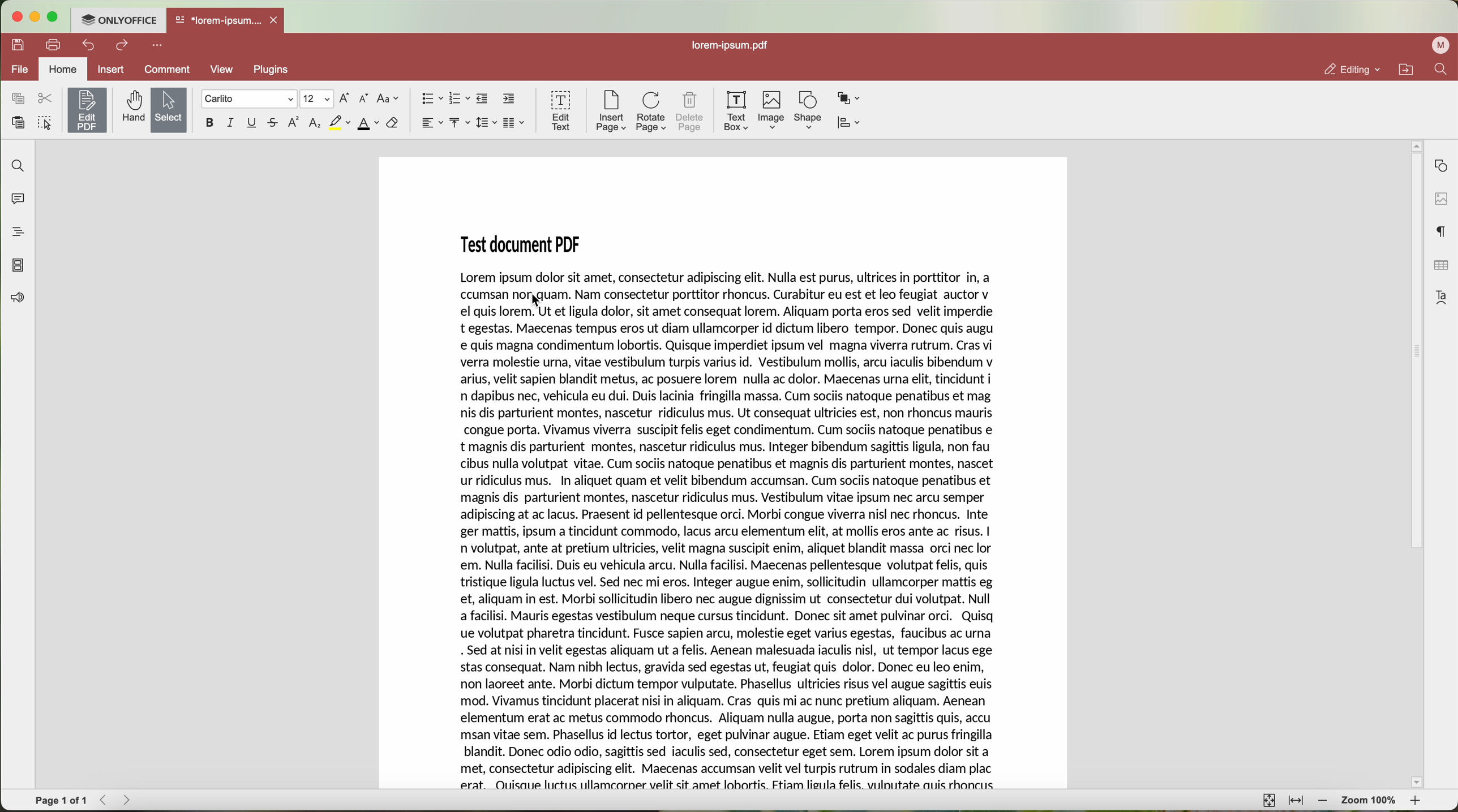 This screenshot has height=812, width=1458. I want to click on font color, so click(368, 124).